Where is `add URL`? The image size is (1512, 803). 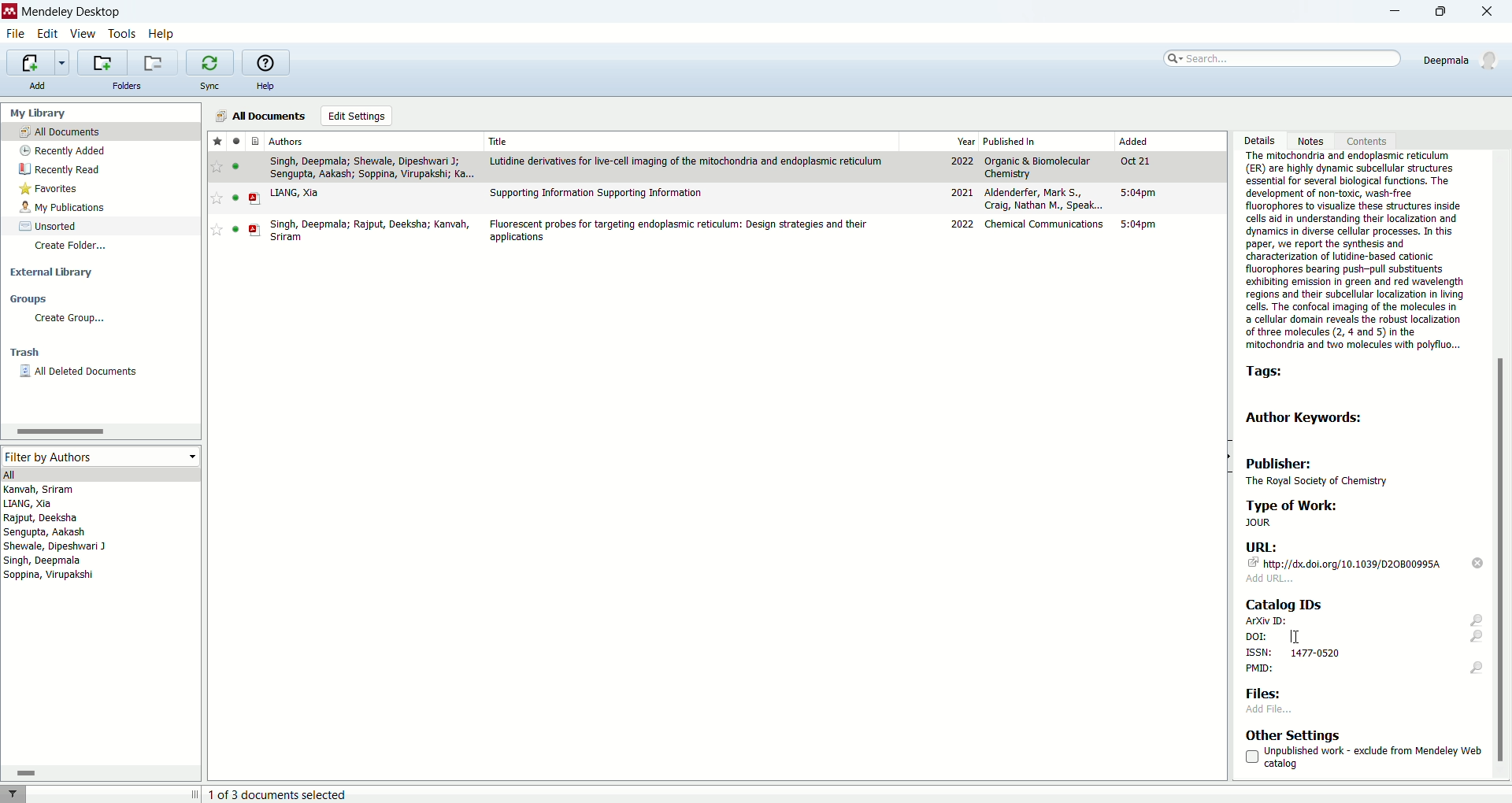
add URL is located at coordinates (1270, 579).